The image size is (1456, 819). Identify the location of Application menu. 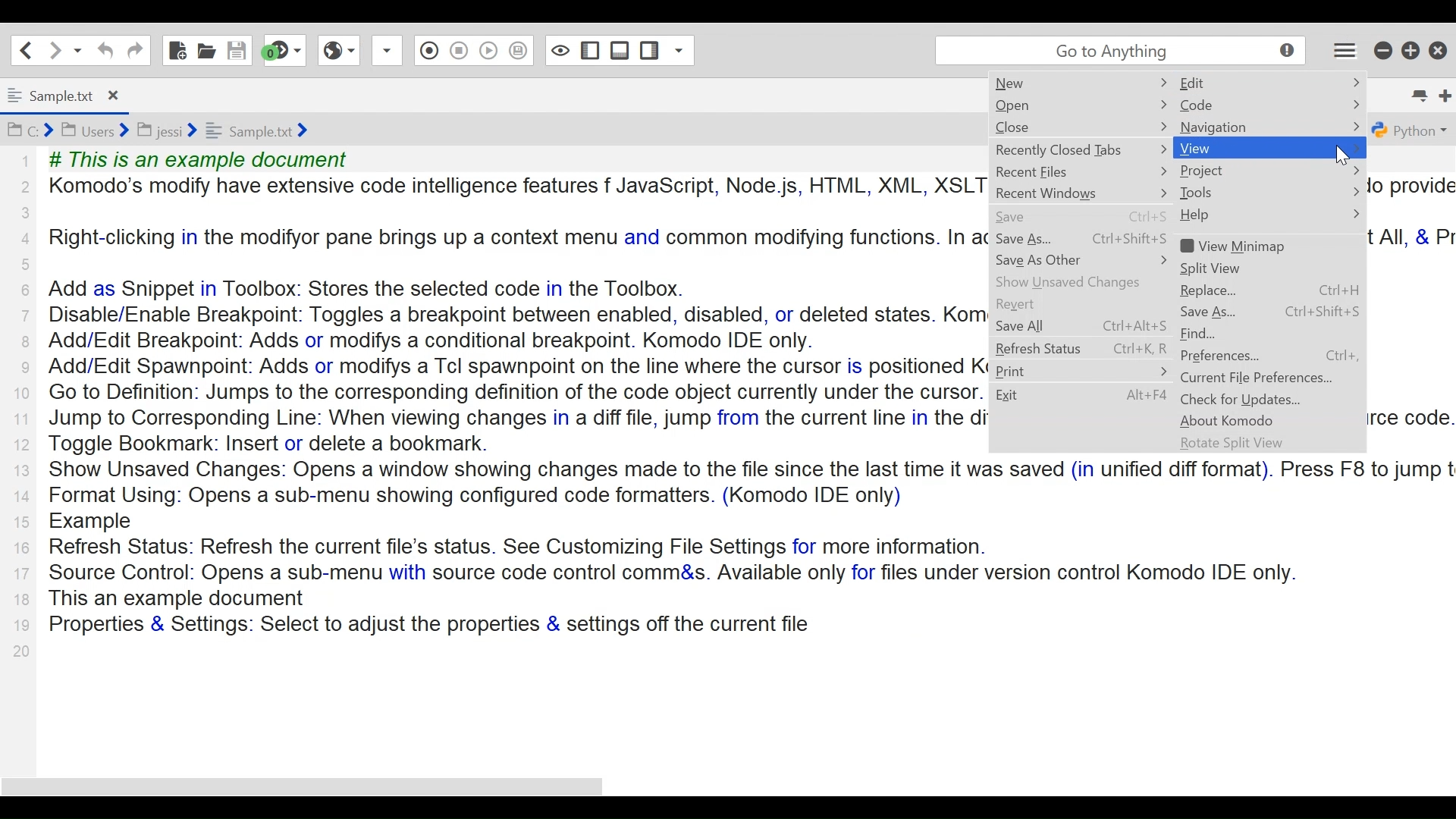
(1339, 53).